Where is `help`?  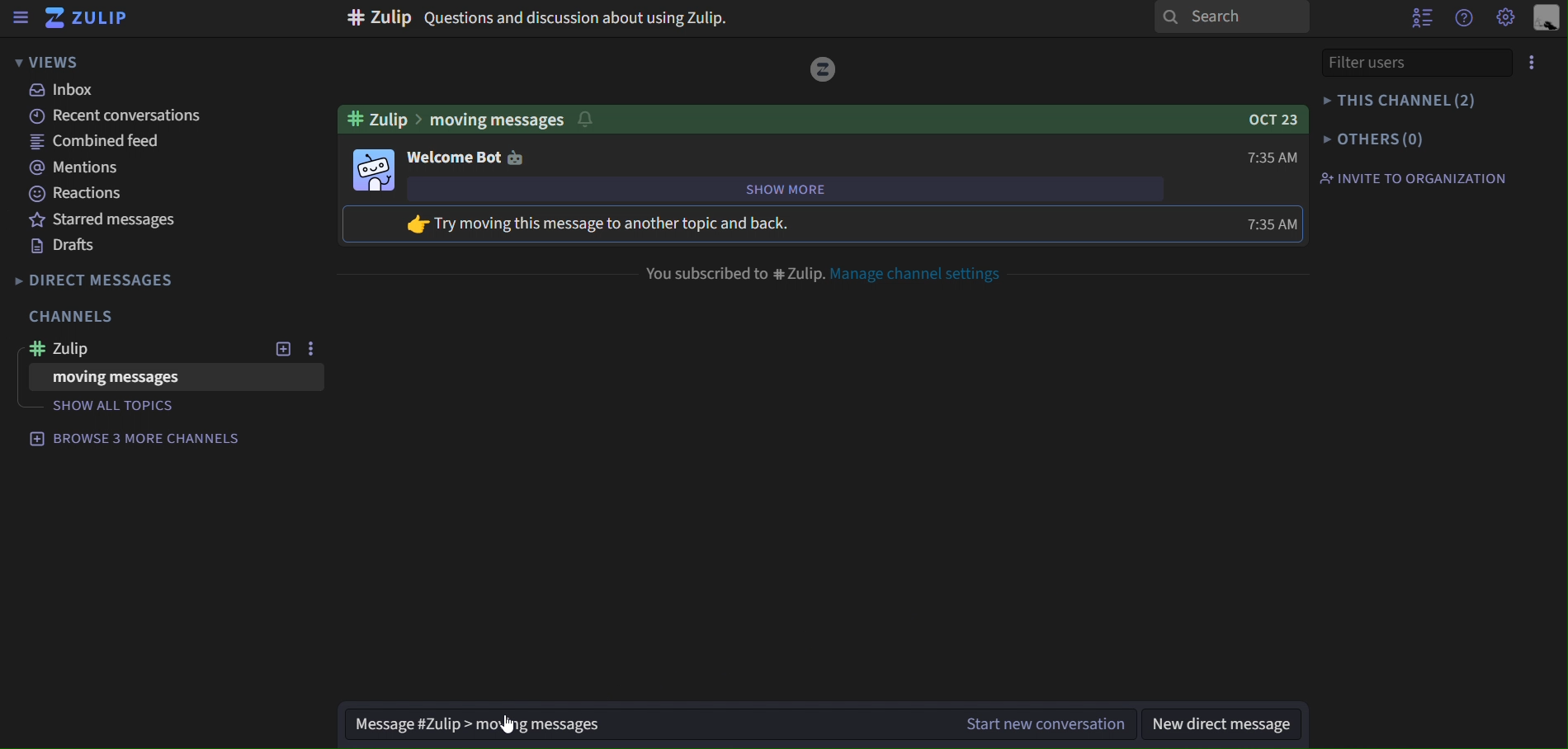
help is located at coordinates (1460, 19).